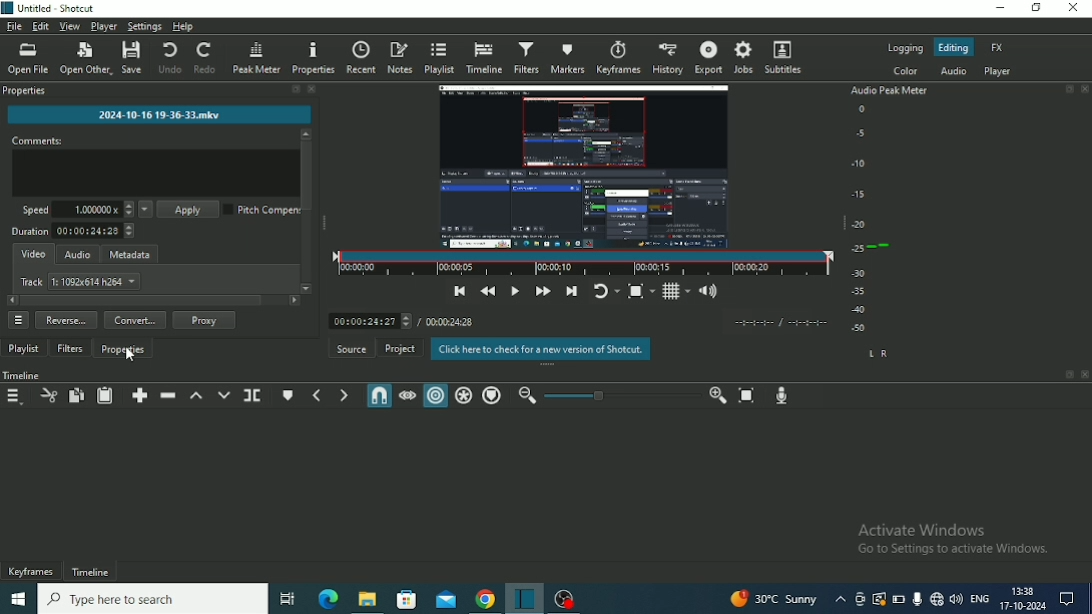 The height and width of the screenshot is (614, 1092). I want to click on Markers, so click(567, 58).